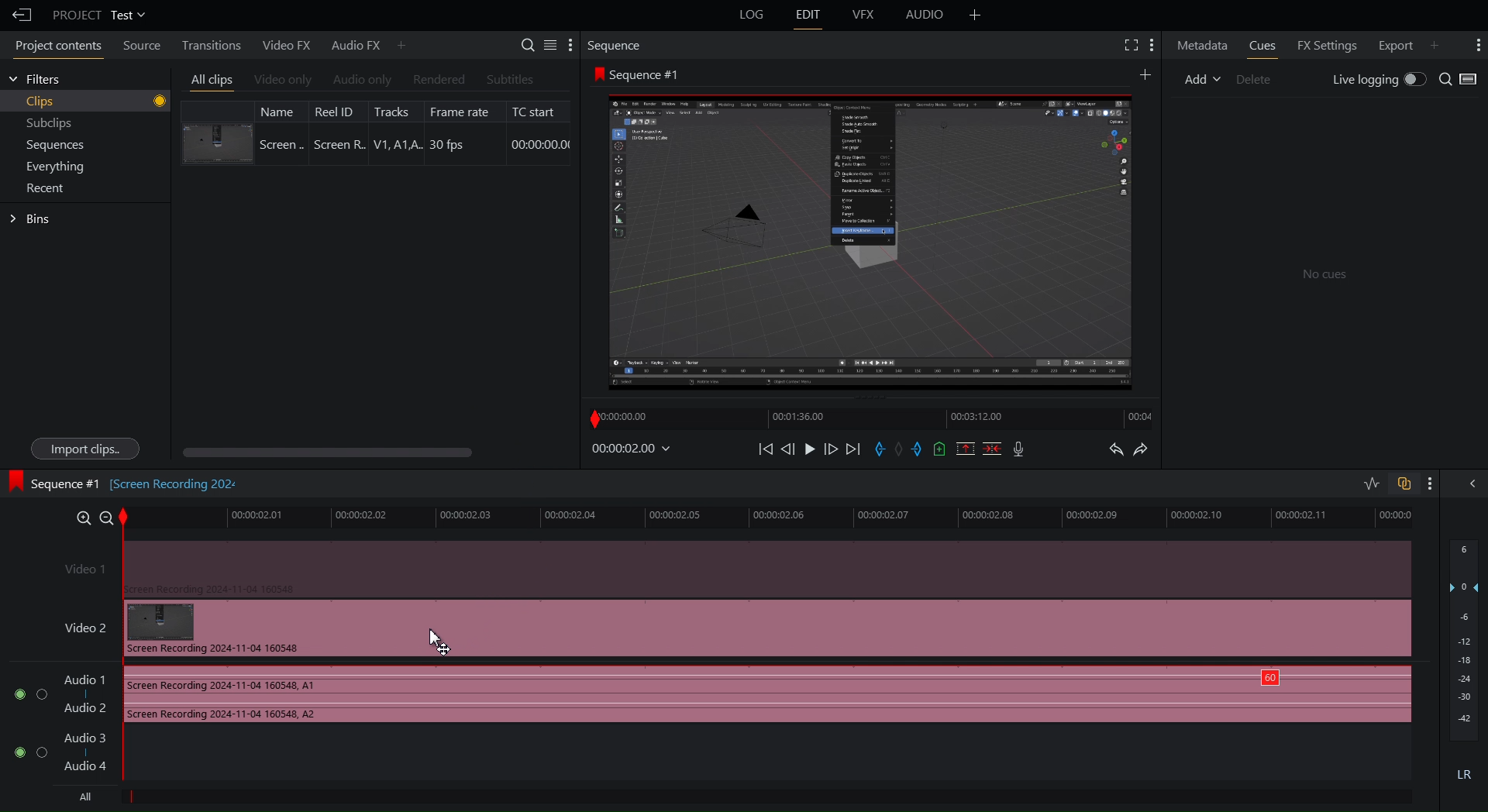 This screenshot has width=1488, height=812. What do you see at coordinates (138, 47) in the screenshot?
I see `Source` at bounding box center [138, 47].